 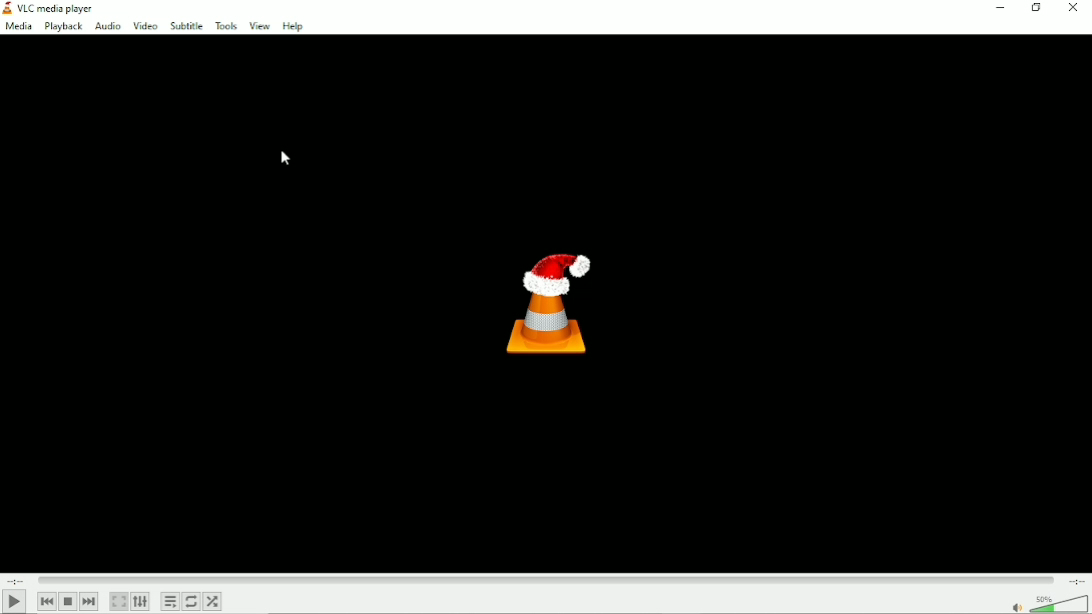 What do you see at coordinates (546, 303) in the screenshot?
I see `vlc Logo` at bounding box center [546, 303].